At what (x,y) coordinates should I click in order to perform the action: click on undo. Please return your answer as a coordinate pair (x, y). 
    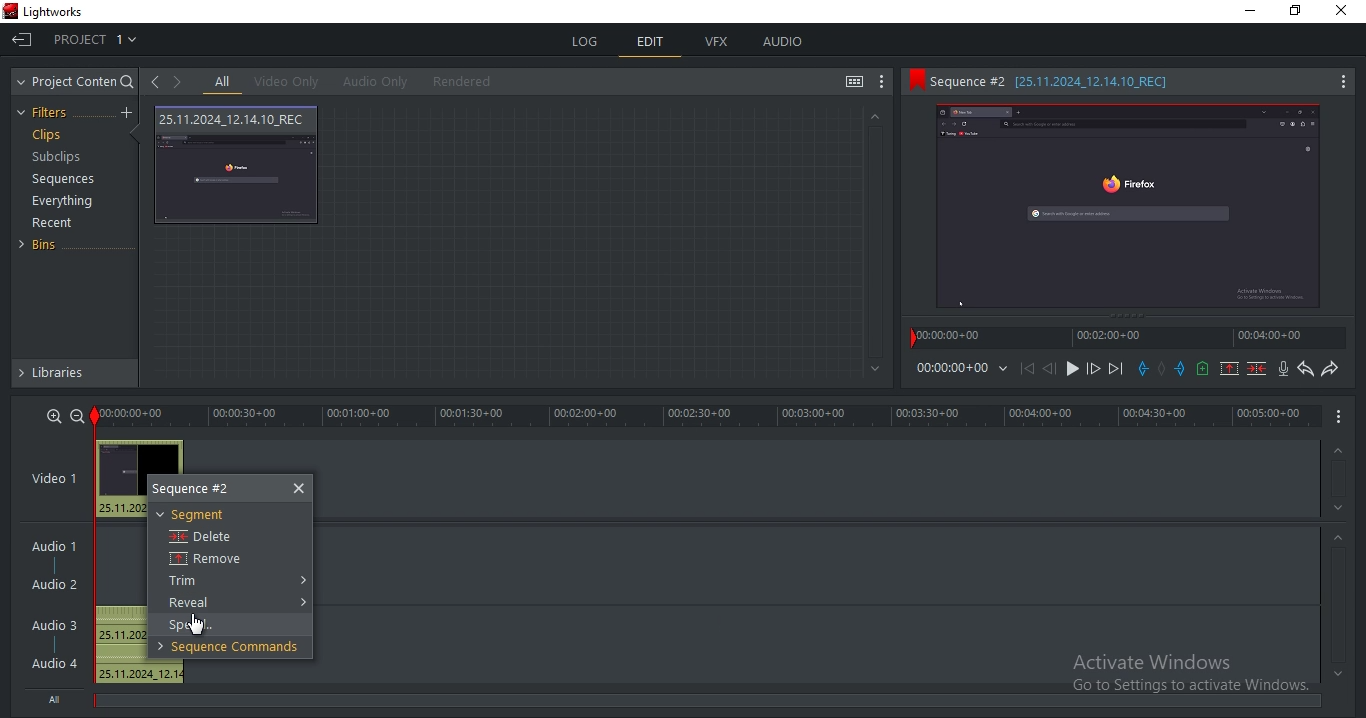
    Looking at the image, I should click on (1303, 369).